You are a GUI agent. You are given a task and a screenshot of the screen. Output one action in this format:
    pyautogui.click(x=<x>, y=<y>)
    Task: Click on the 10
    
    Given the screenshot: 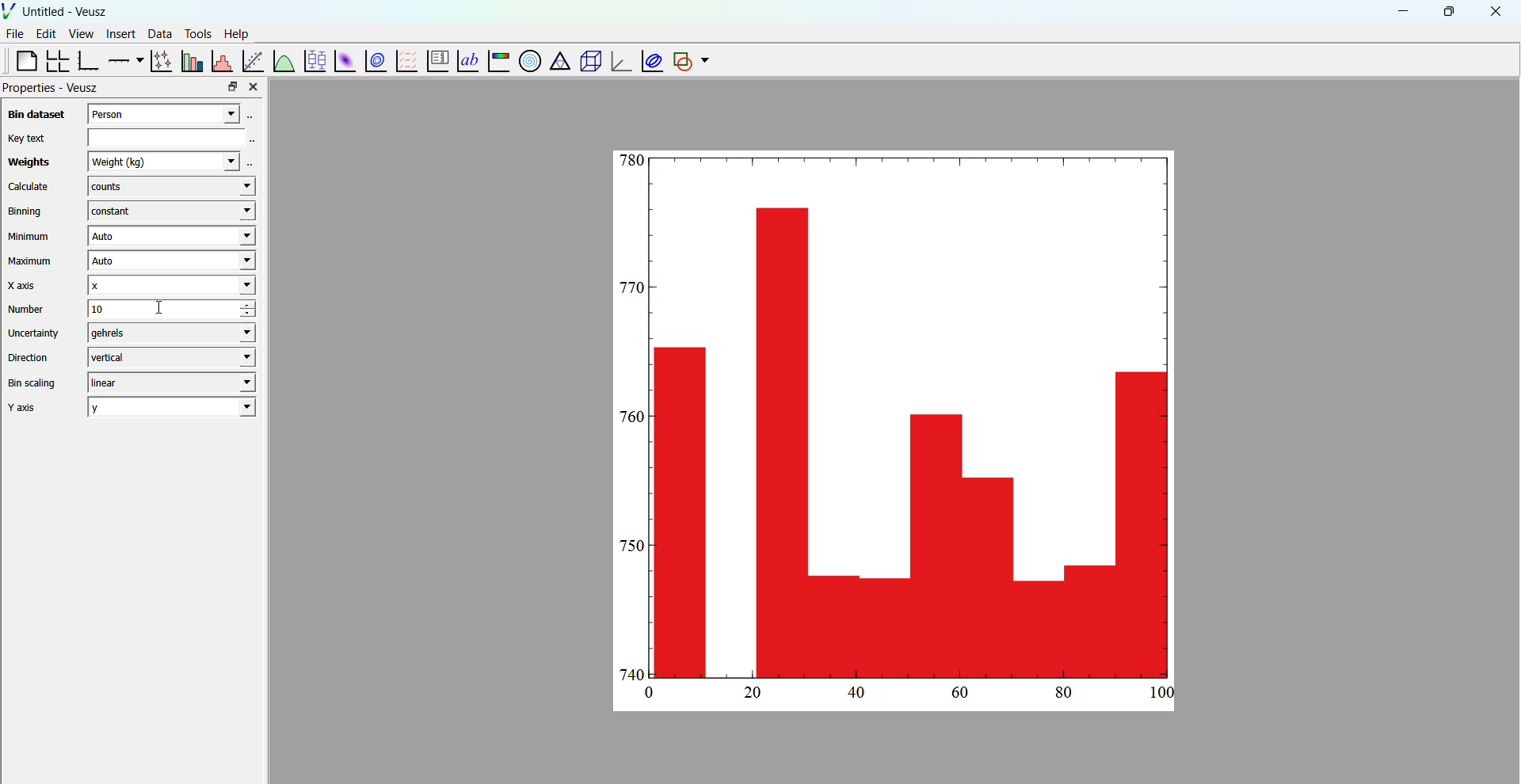 What is the action you would take?
    pyautogui.click(x=150, y=309)
    